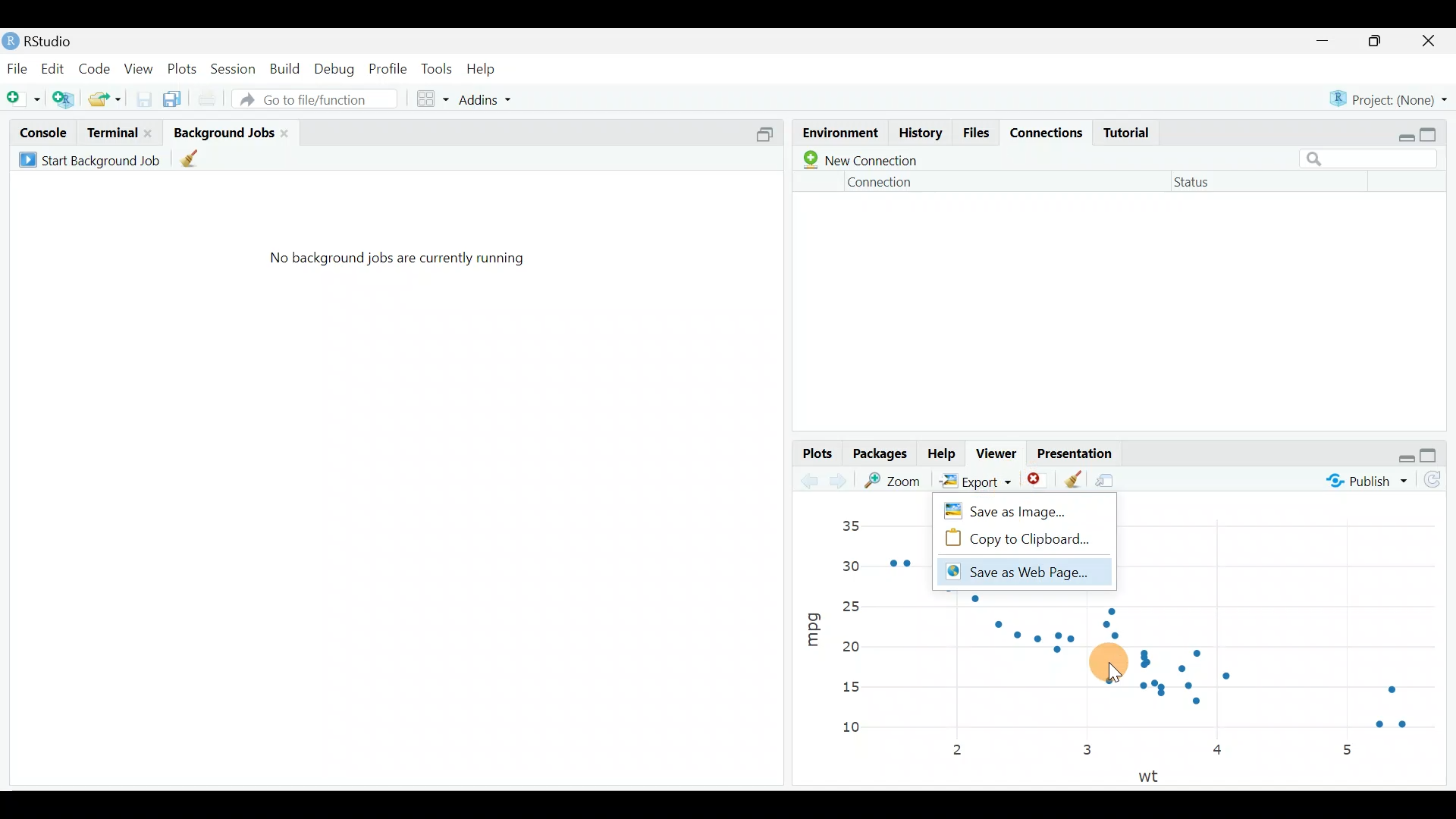  Describe the element at coordinates (1154, 775) in the screenshot. I see `wt` at that location.